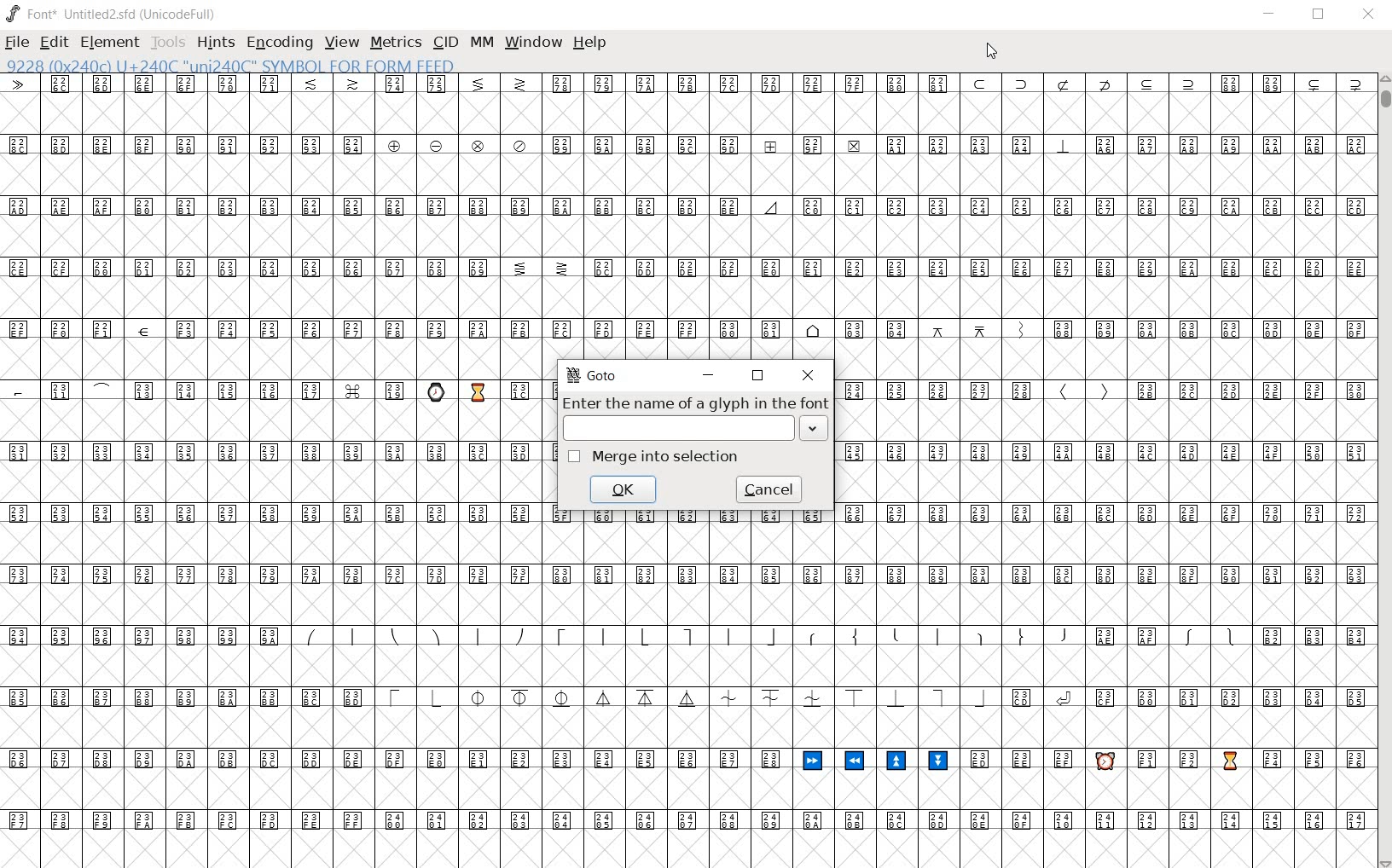 The width and height of the screenshot is (1392, 868). What do you see at coordinates (1368, 16) in the screenshot?
I see `close` at bounding box center [1368, 16].